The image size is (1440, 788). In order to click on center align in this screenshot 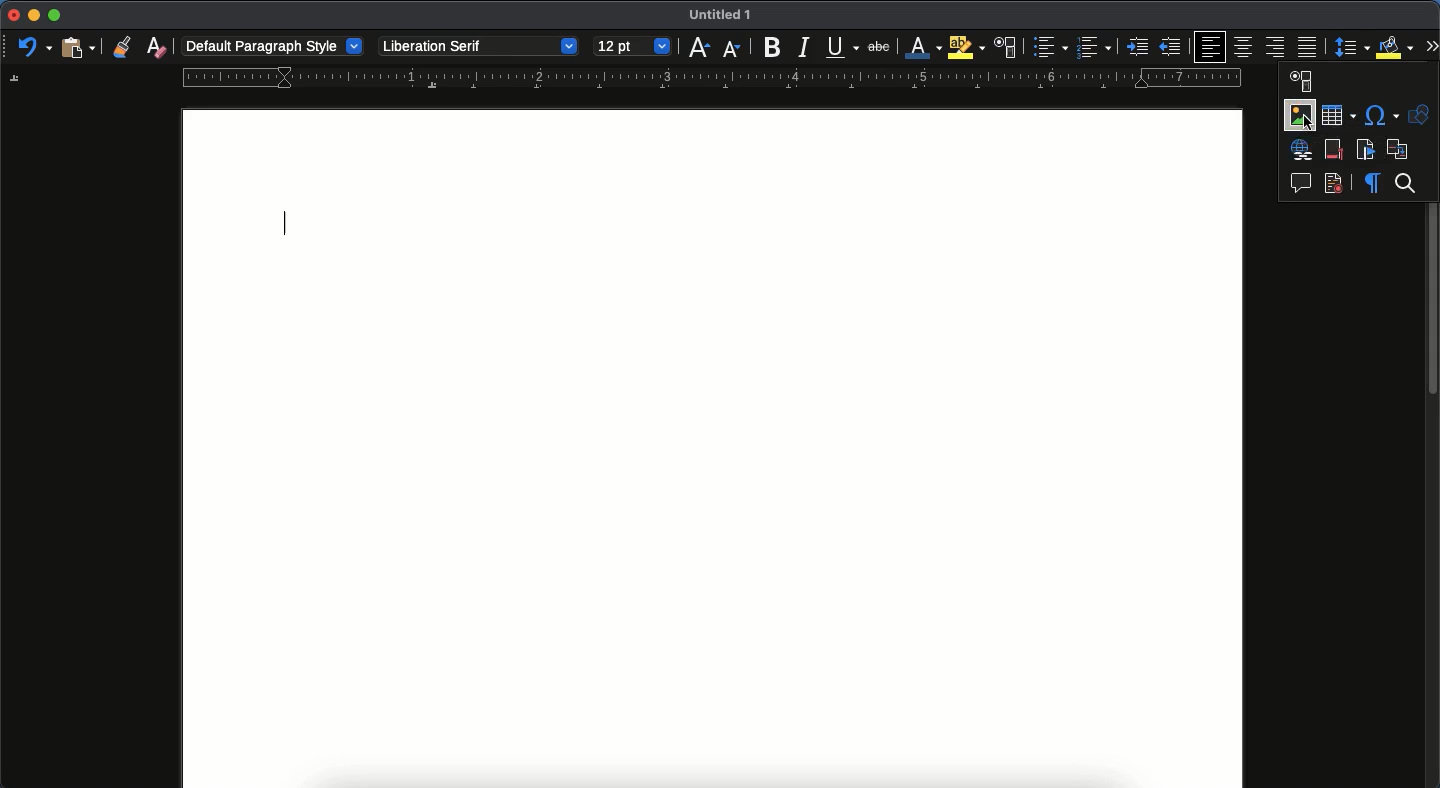, I will do `click(1244, 44)`.